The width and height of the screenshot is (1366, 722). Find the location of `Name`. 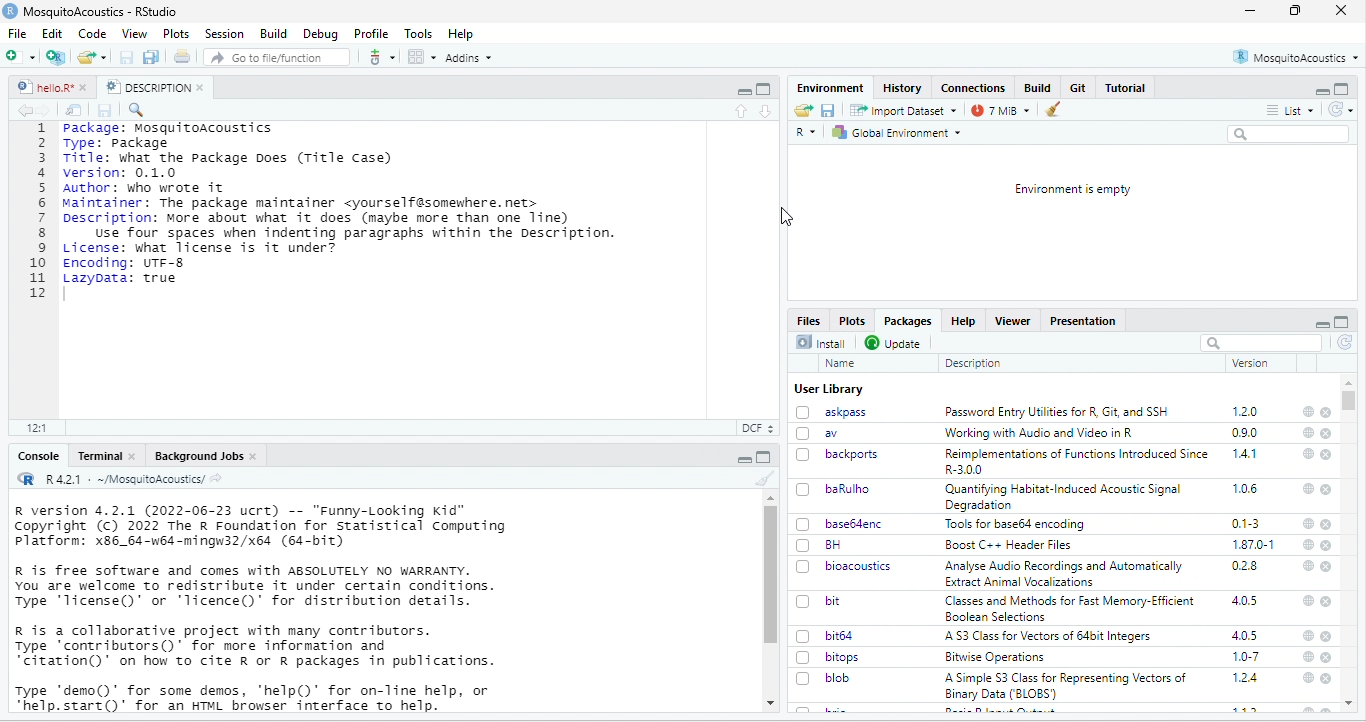

Name is located at coordinates (840, 363).